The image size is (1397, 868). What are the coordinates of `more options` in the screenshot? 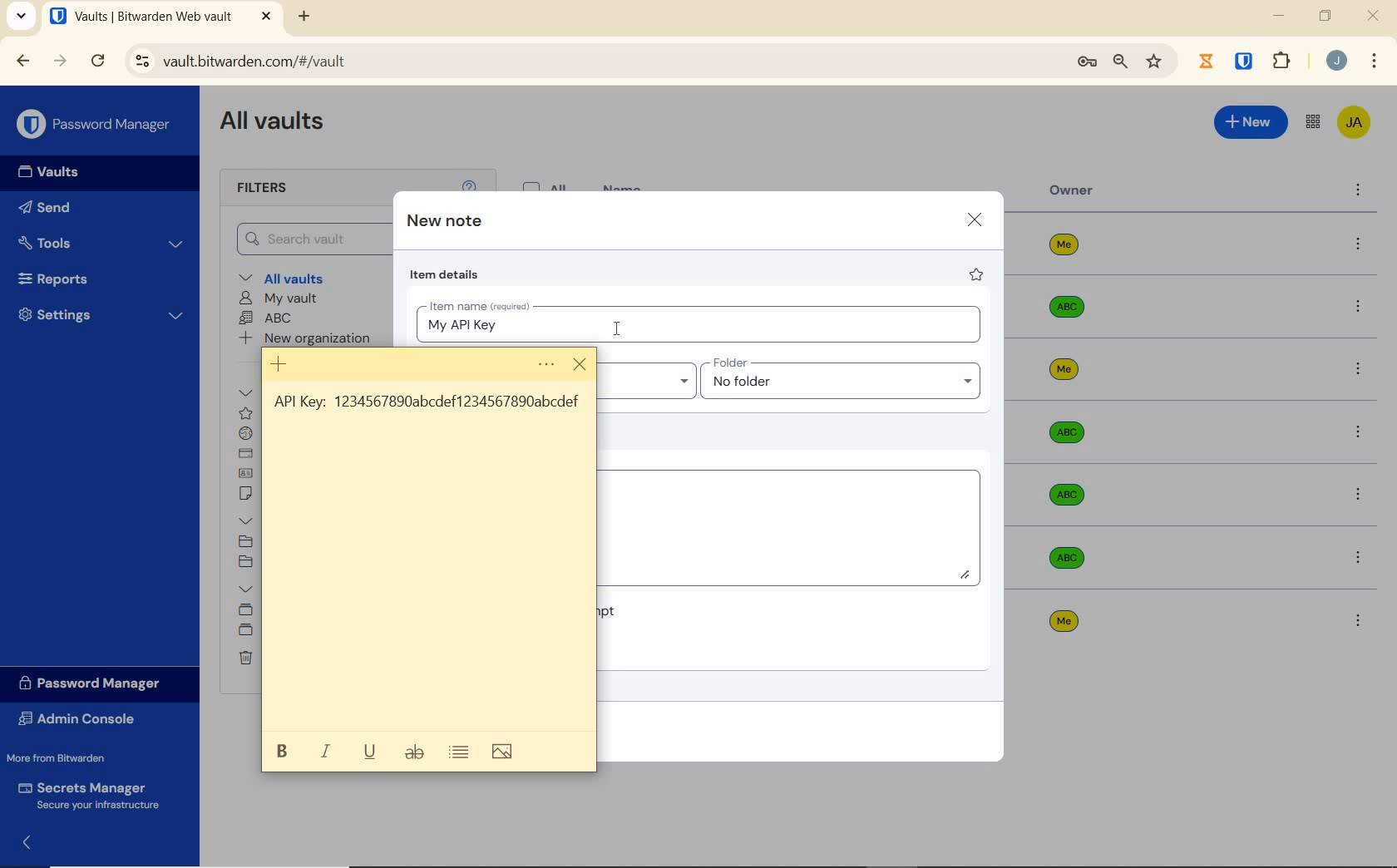 It's located at (1357, 308).